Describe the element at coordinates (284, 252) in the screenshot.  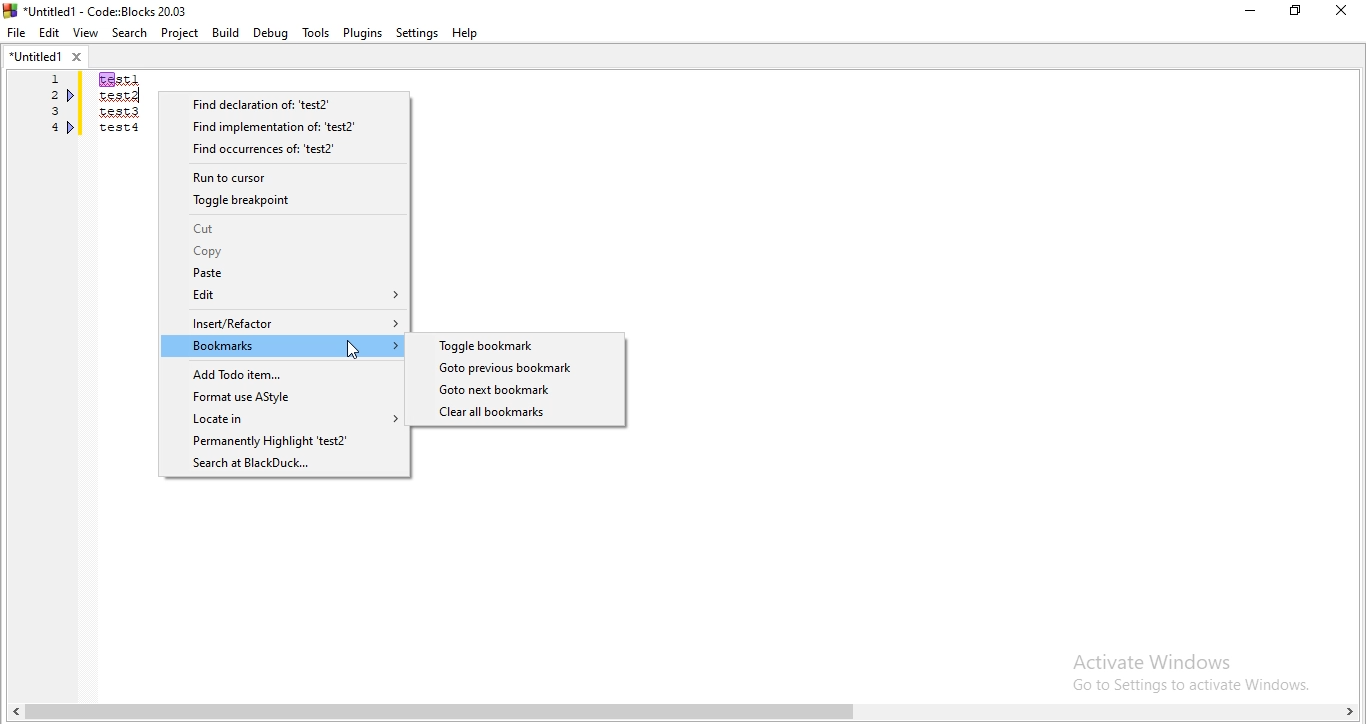
I see `Copy` at that location.